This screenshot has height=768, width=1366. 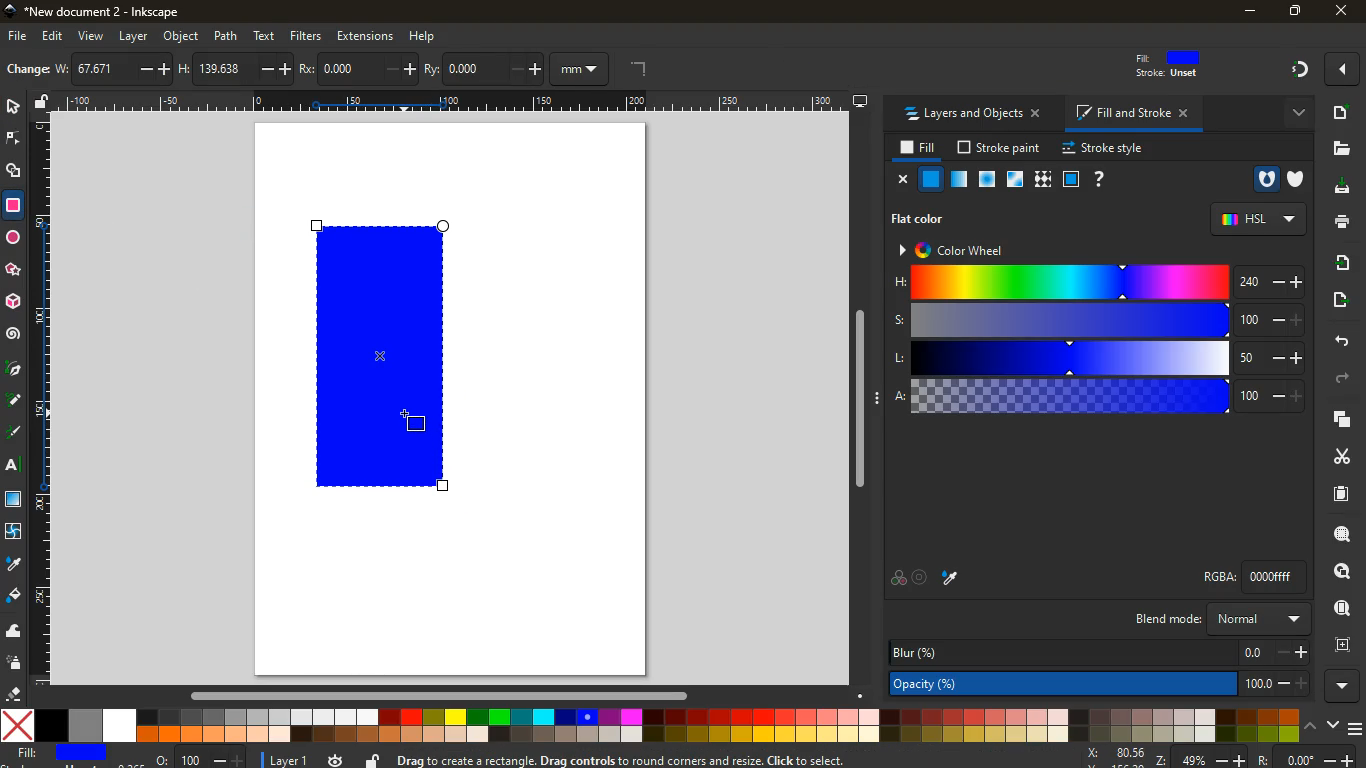 I want to click on h, so click(x=1100, y=282).